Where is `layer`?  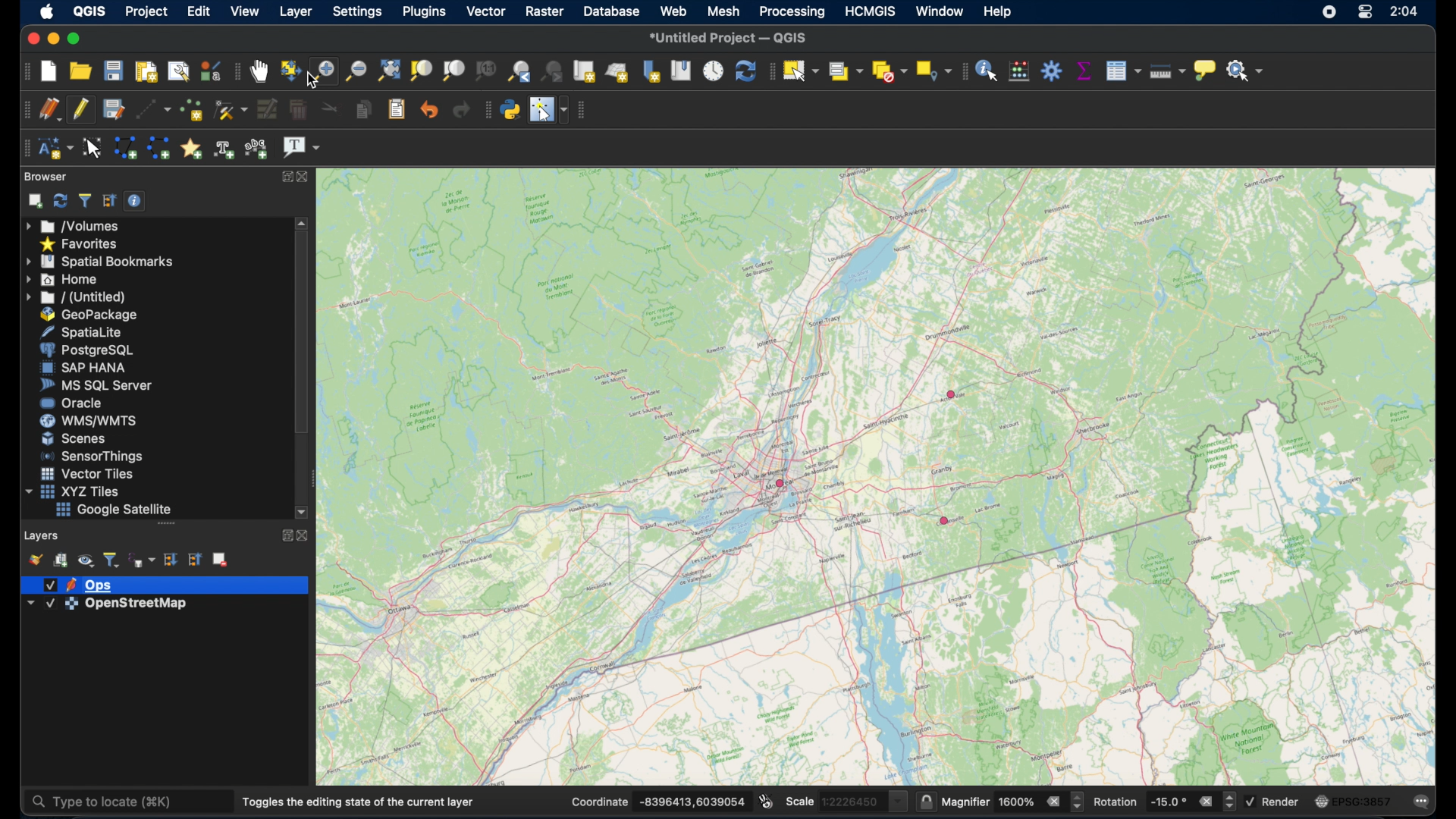 layer is located at coordinates (295, 12).